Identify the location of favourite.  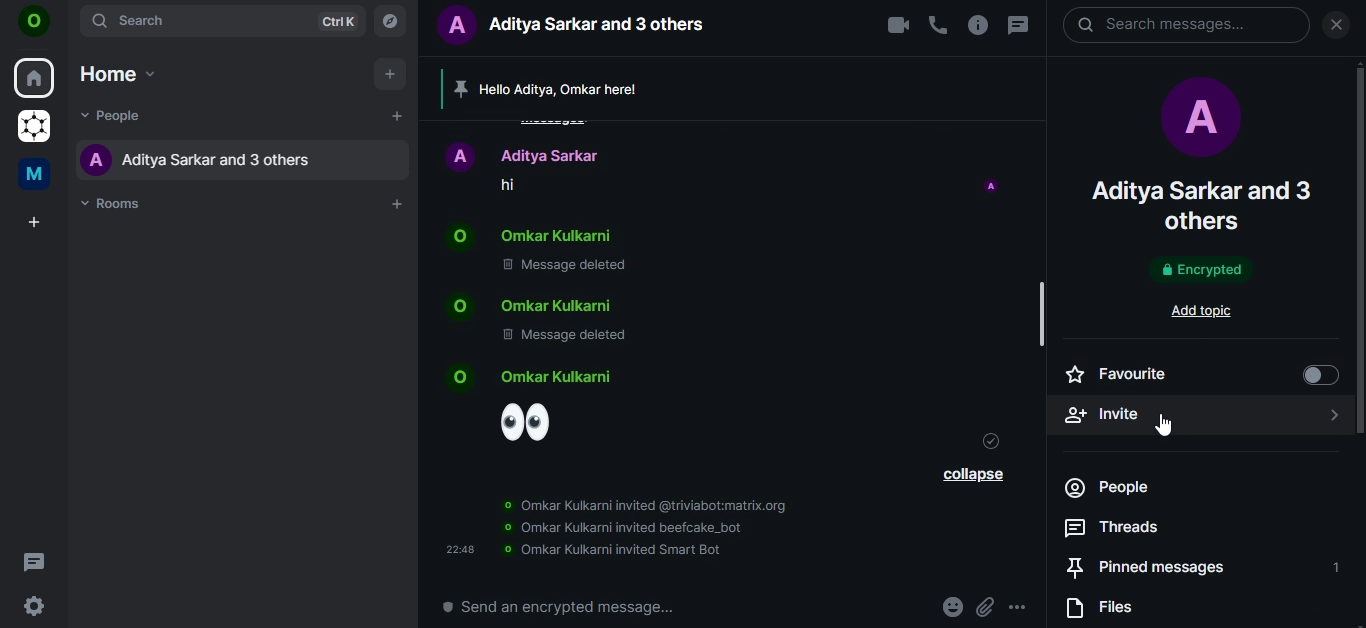
(1198, 374).